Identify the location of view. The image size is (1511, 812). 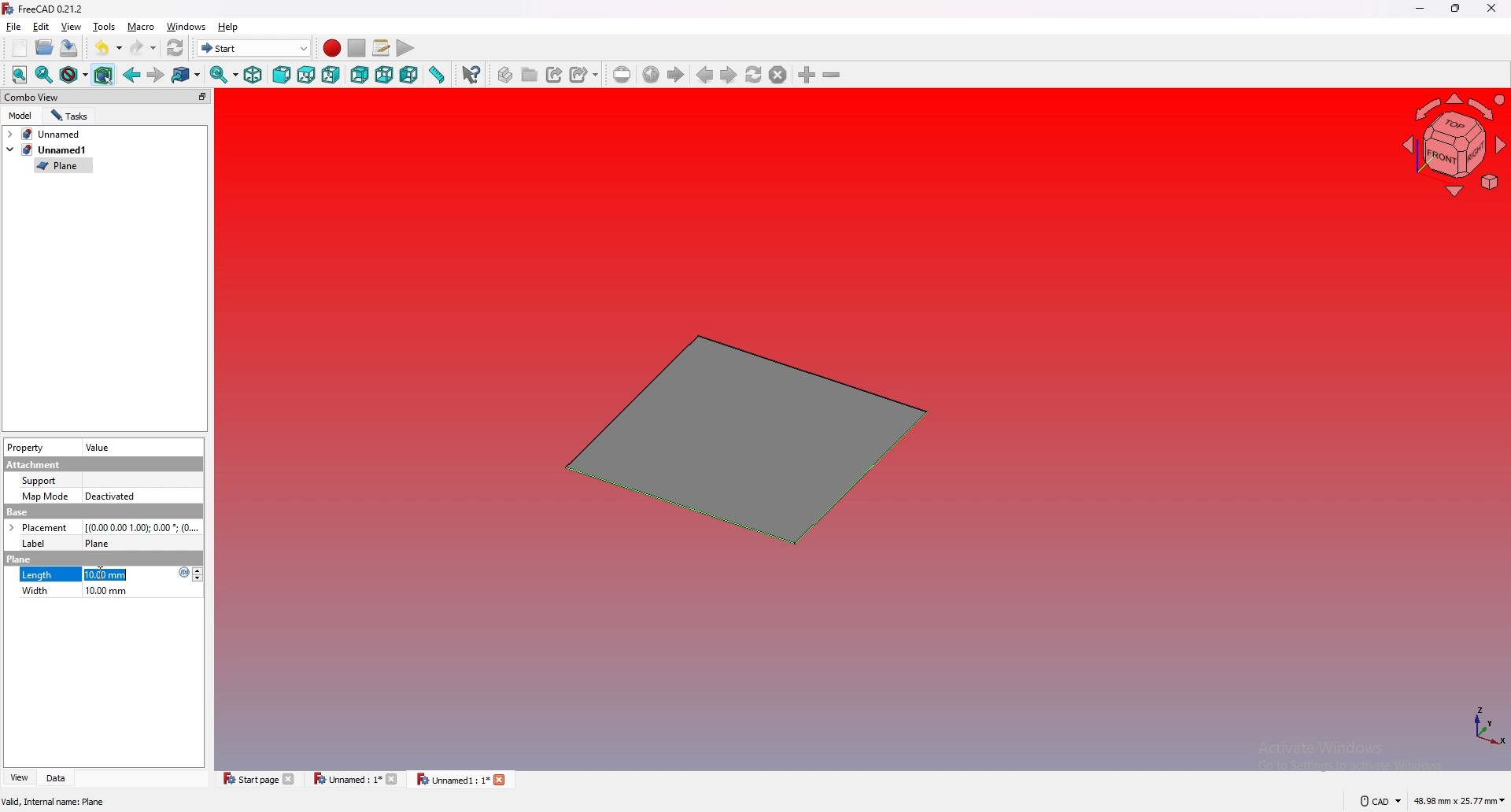
(18, 778).